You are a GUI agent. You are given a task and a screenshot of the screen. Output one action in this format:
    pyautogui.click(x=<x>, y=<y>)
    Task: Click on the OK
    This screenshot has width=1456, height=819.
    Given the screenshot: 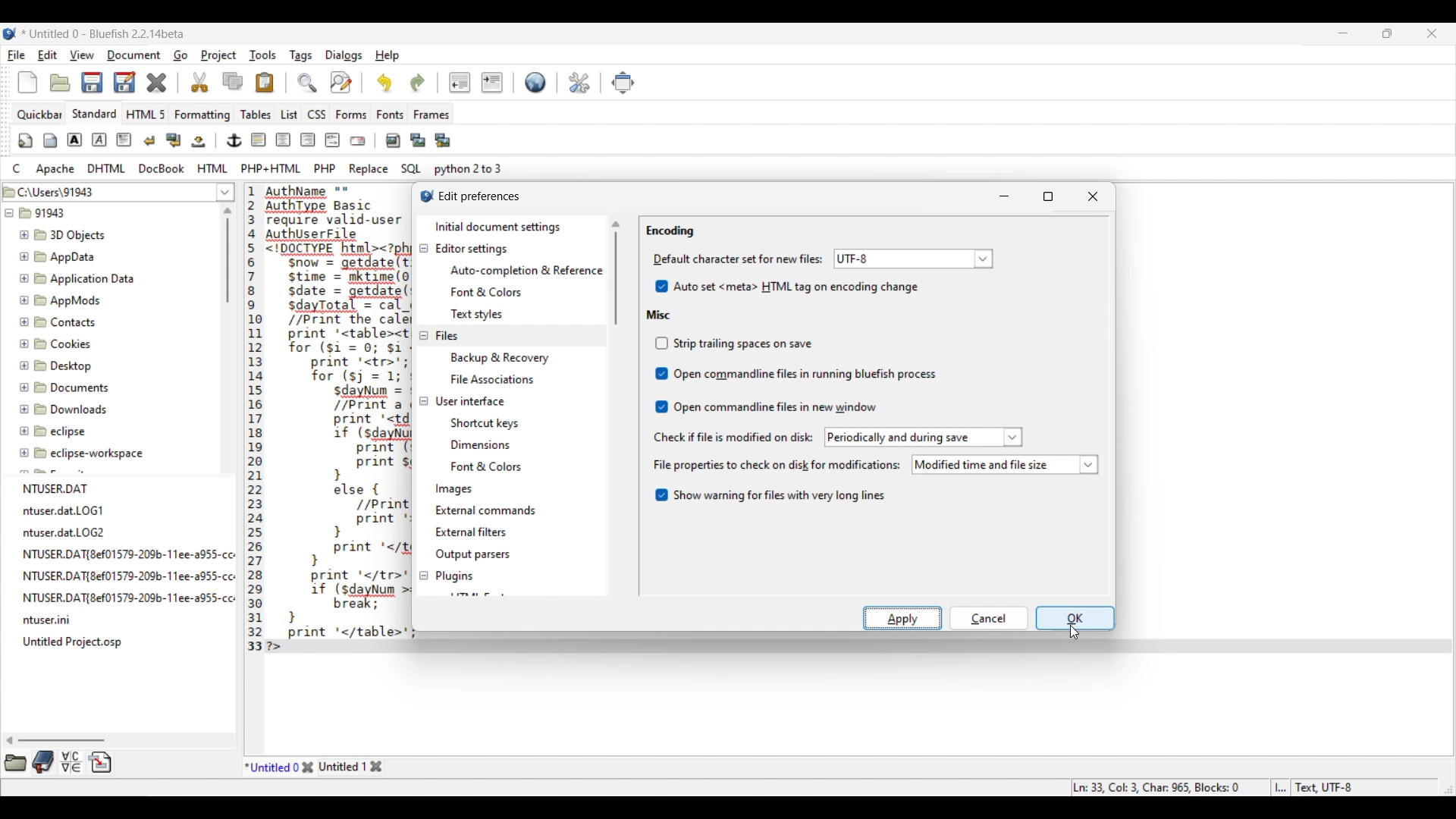 What is the action you would take?
    pyautogui.click(x=1075, y=617)
    